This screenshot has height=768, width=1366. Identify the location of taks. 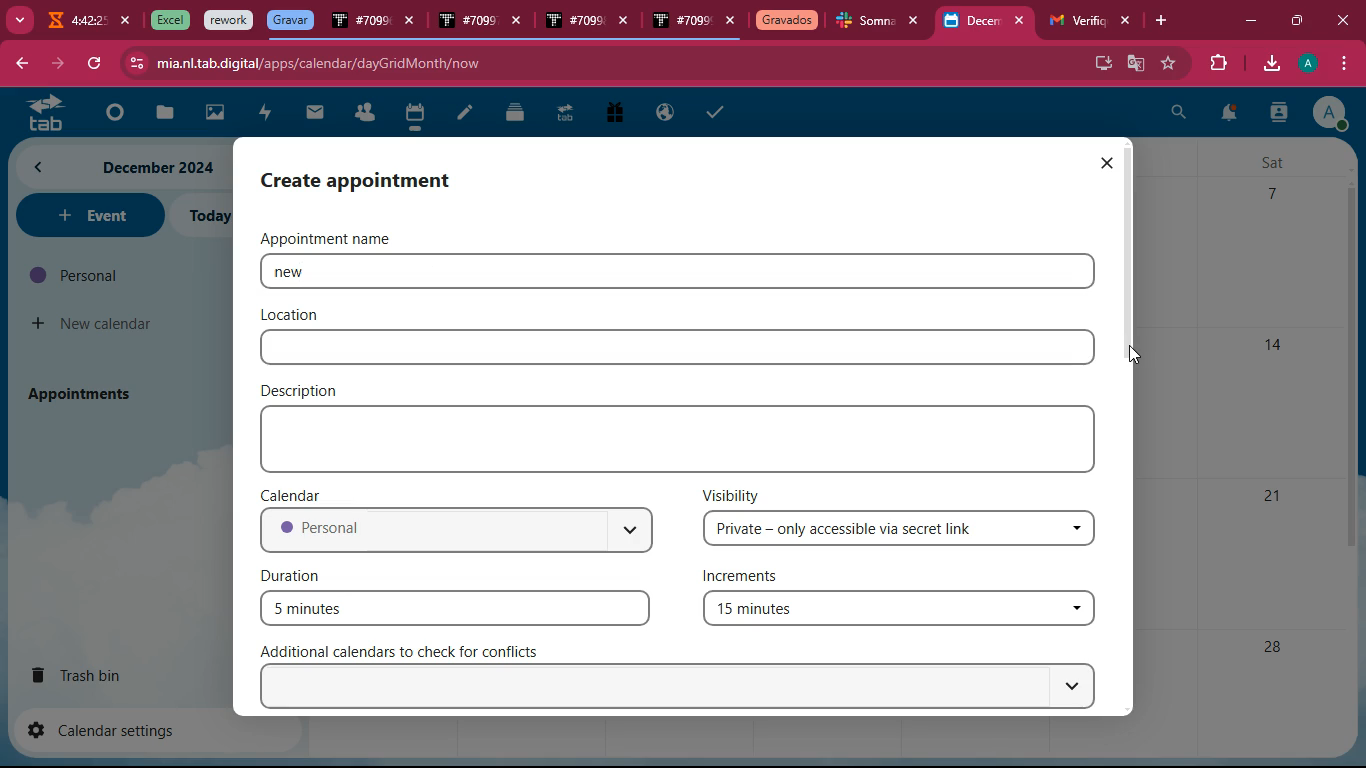
(718, 111).